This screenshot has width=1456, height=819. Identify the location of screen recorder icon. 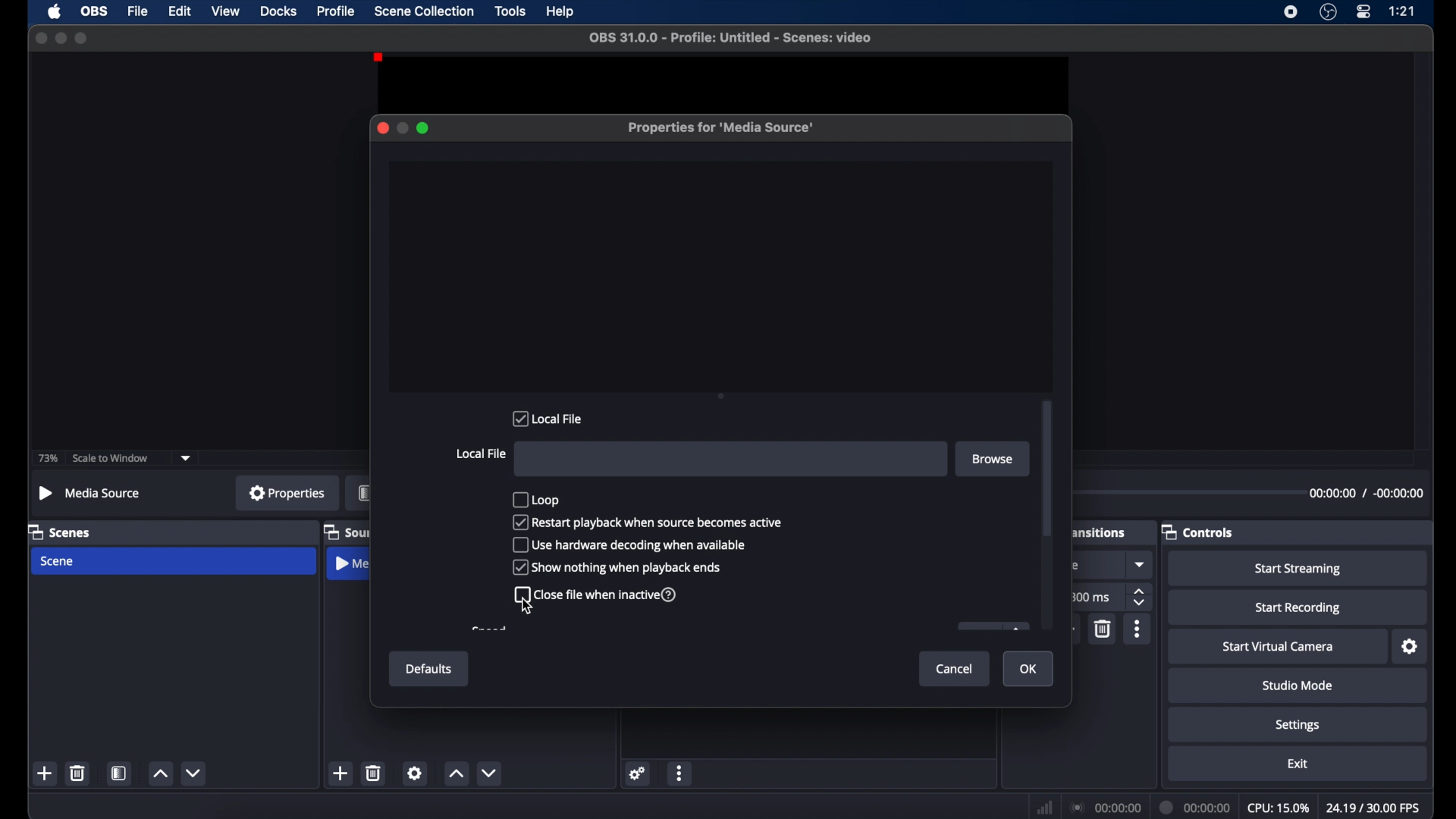
(1291, 12).